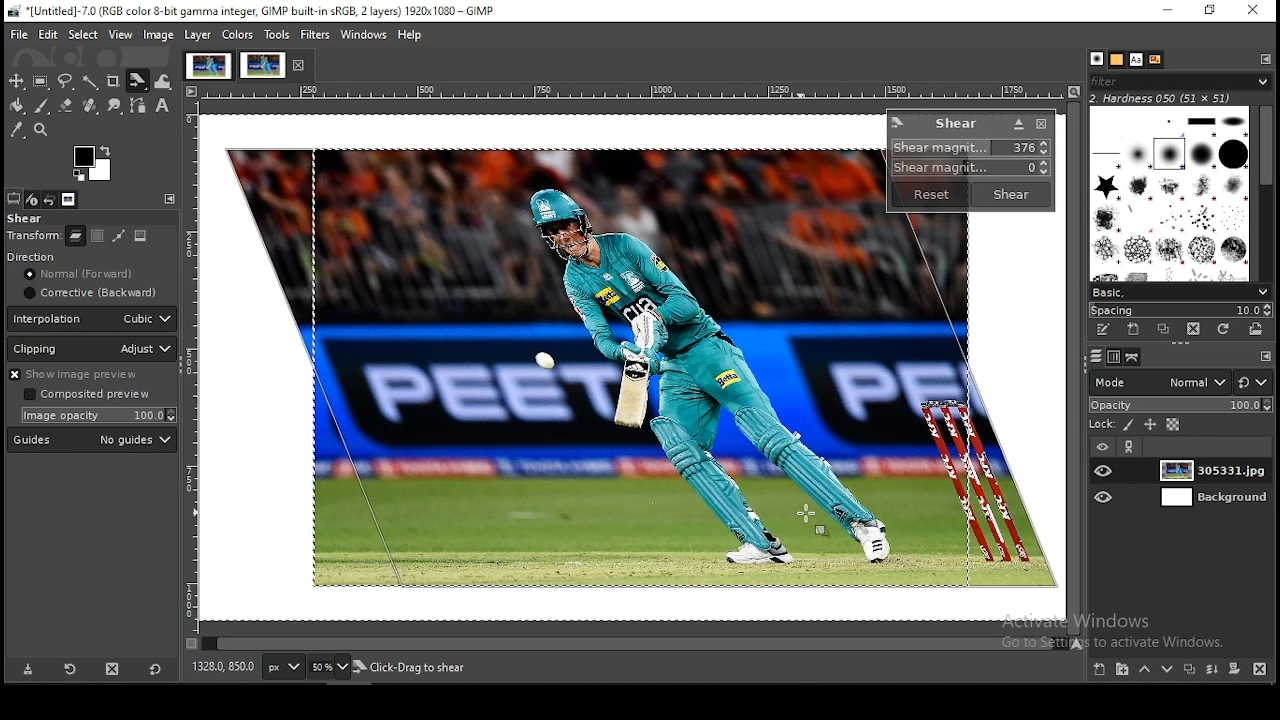  What do you see at coordinates (600, 372) in the screenshot?
I see `image` at bounding box center [600, 372].